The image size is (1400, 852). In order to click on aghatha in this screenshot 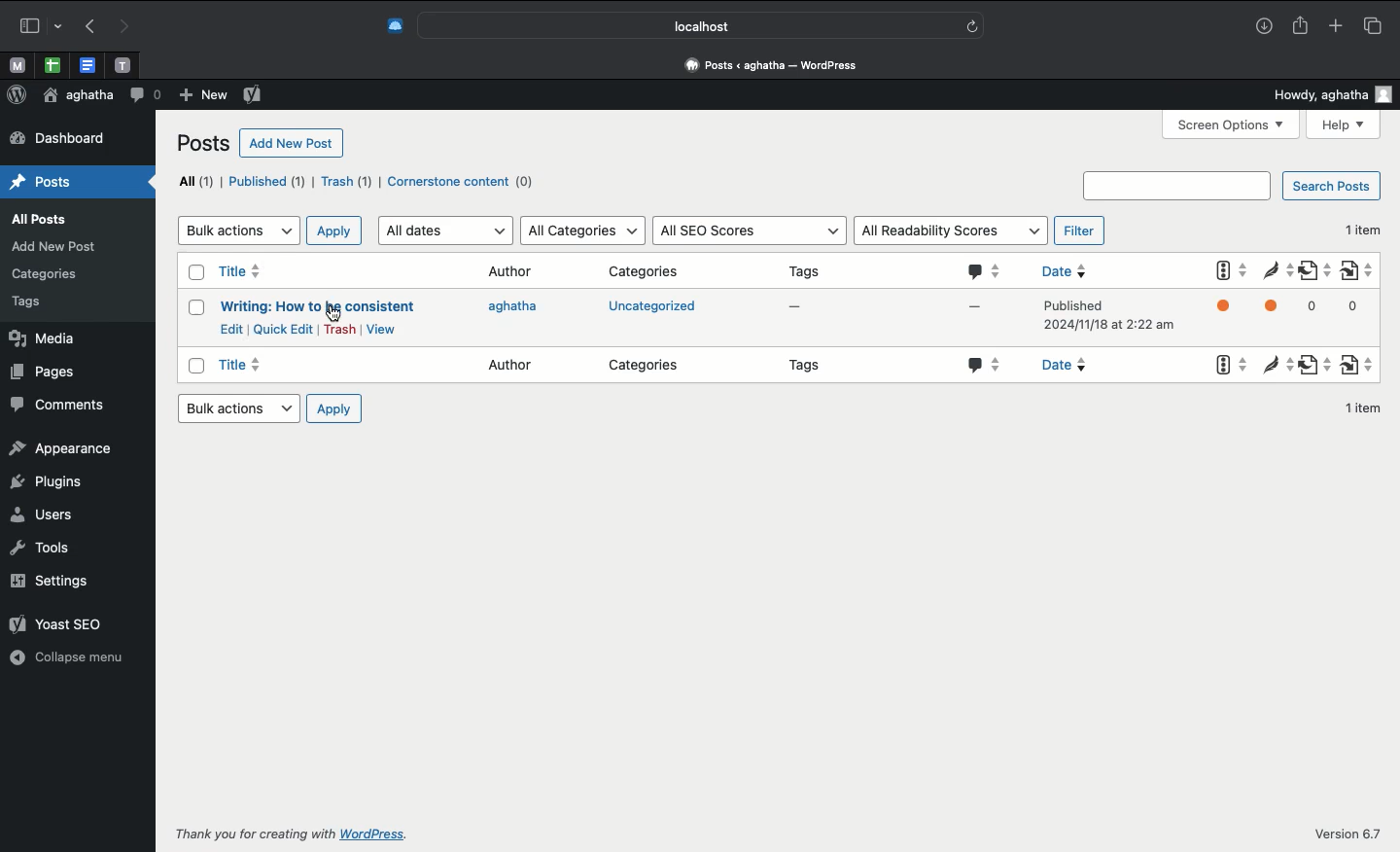, I will do `click(78, 96)`.